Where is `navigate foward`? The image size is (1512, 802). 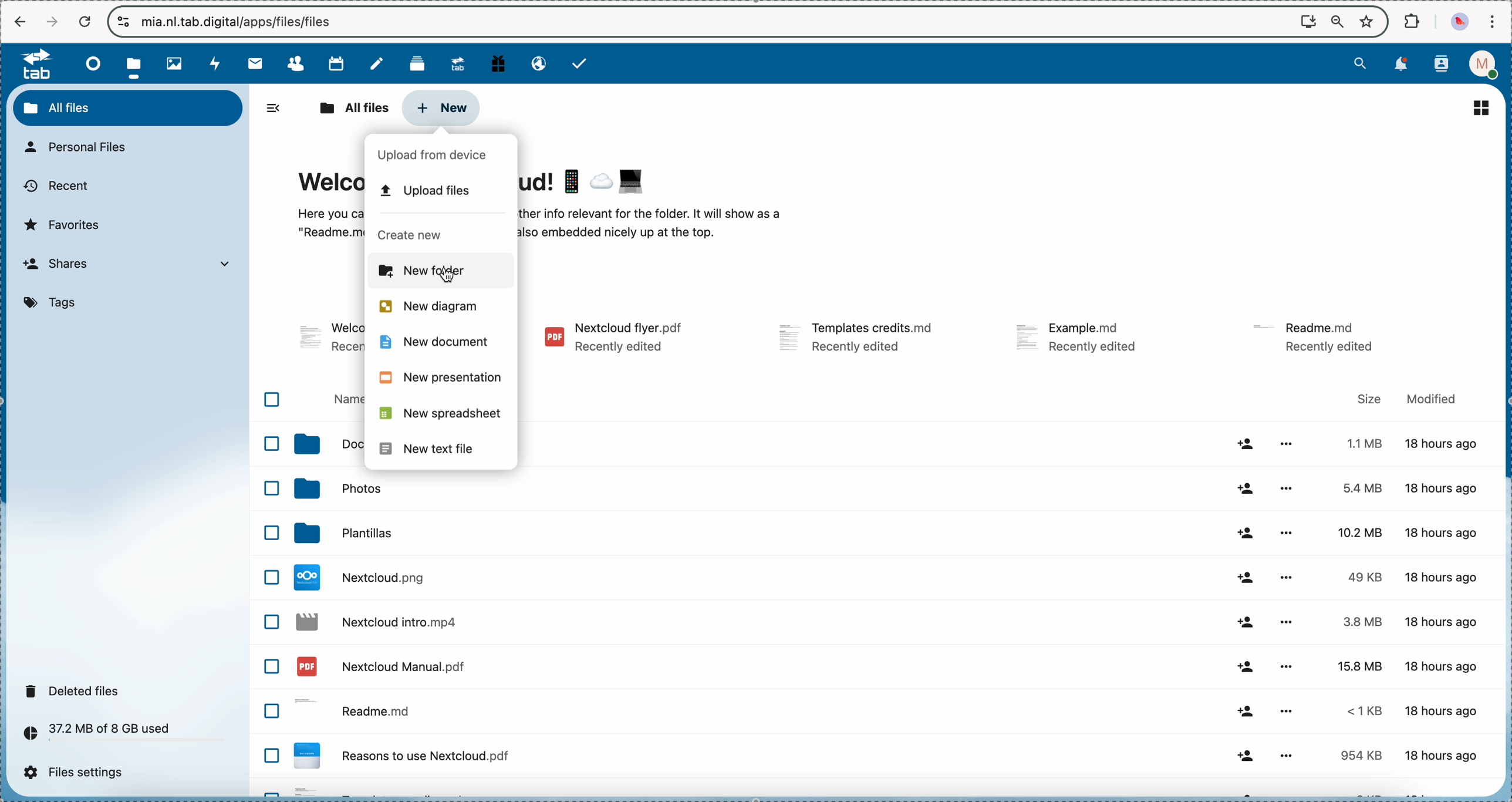 navigate foward is located at coordinates (52, 22).